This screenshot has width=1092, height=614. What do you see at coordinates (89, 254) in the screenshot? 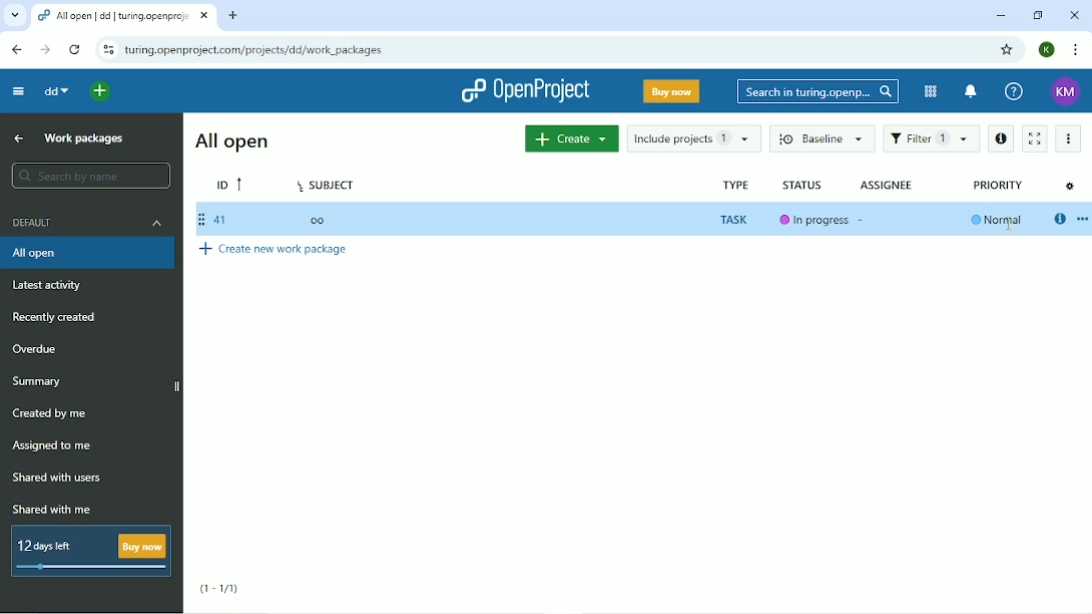
I see `All open` at bounding box center [89, 254].